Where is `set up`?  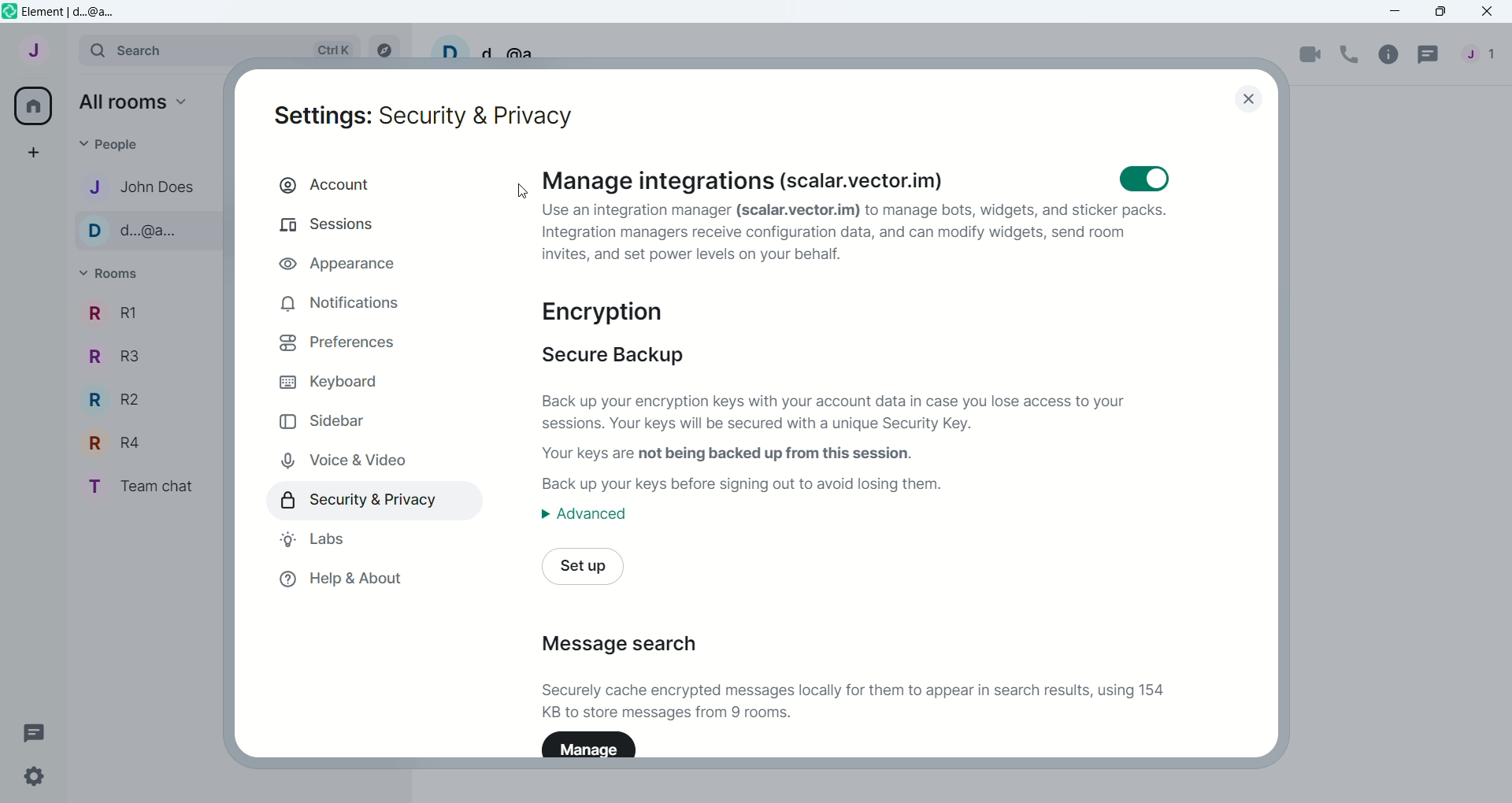 set up is located at coordinates (595, 568).